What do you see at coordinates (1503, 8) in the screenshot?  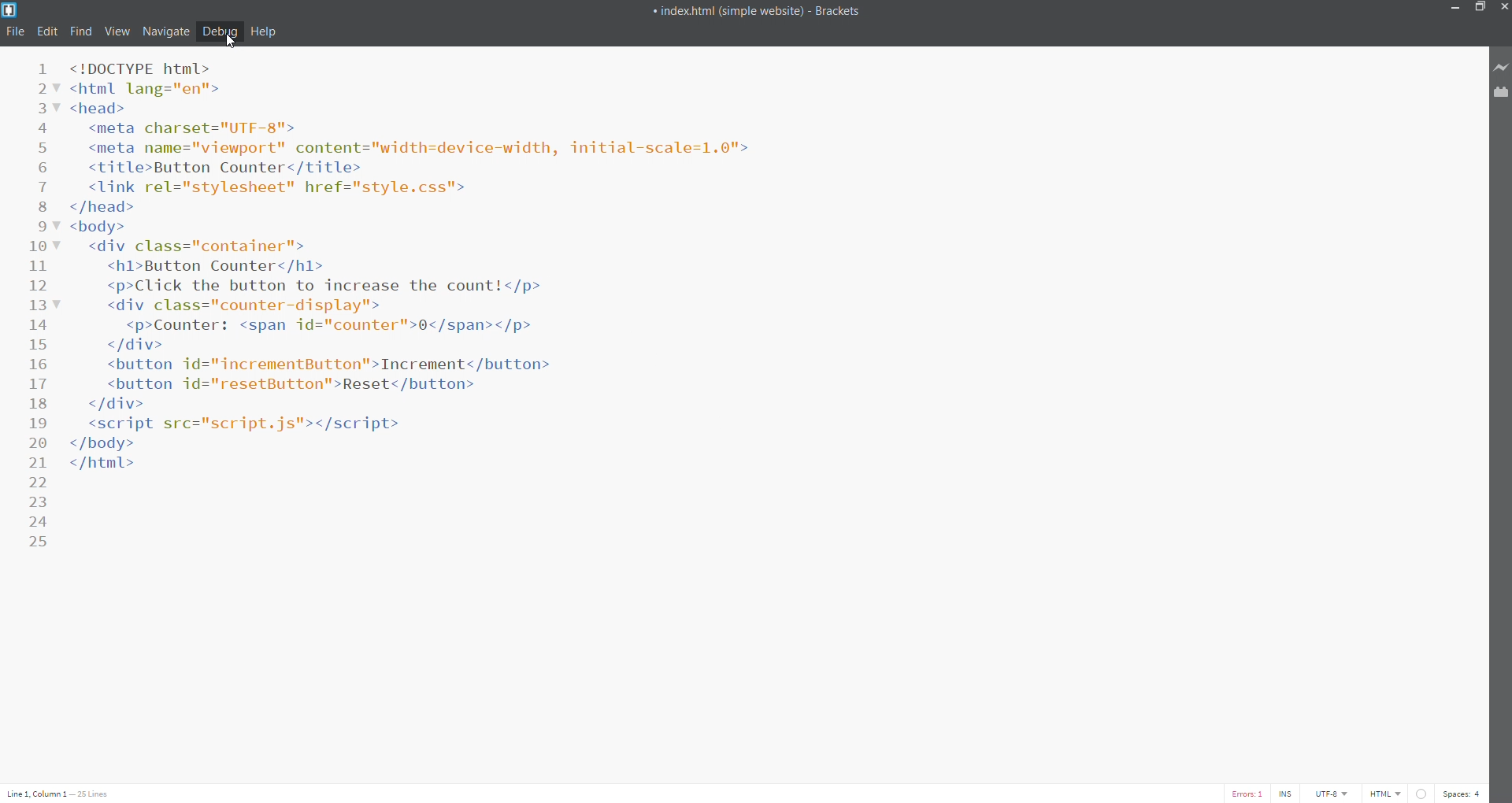 I see `close` at bounding box center [1503, 8].